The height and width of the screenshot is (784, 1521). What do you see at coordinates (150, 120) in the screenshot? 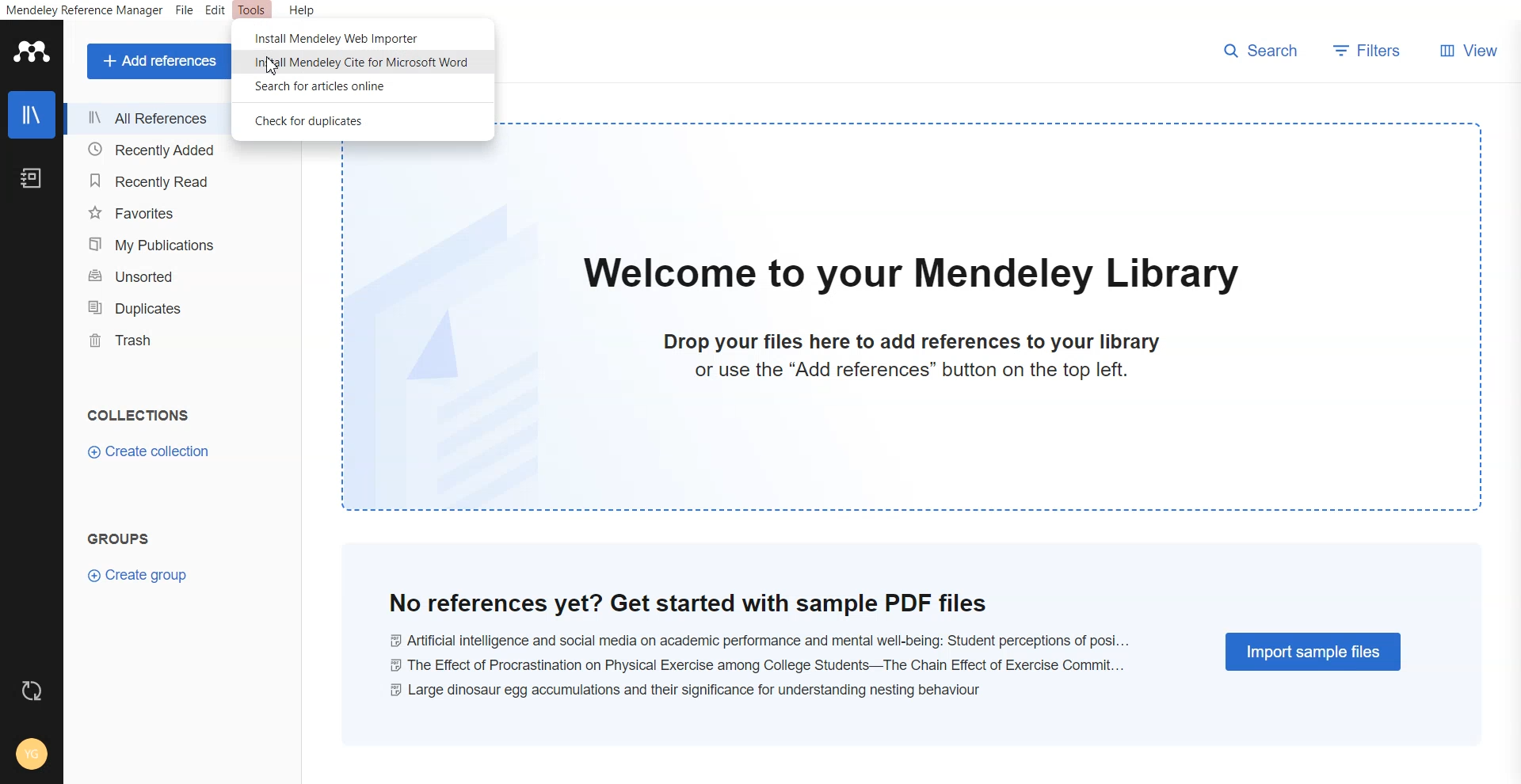
I see `All References` at bounding box center [150, 120].